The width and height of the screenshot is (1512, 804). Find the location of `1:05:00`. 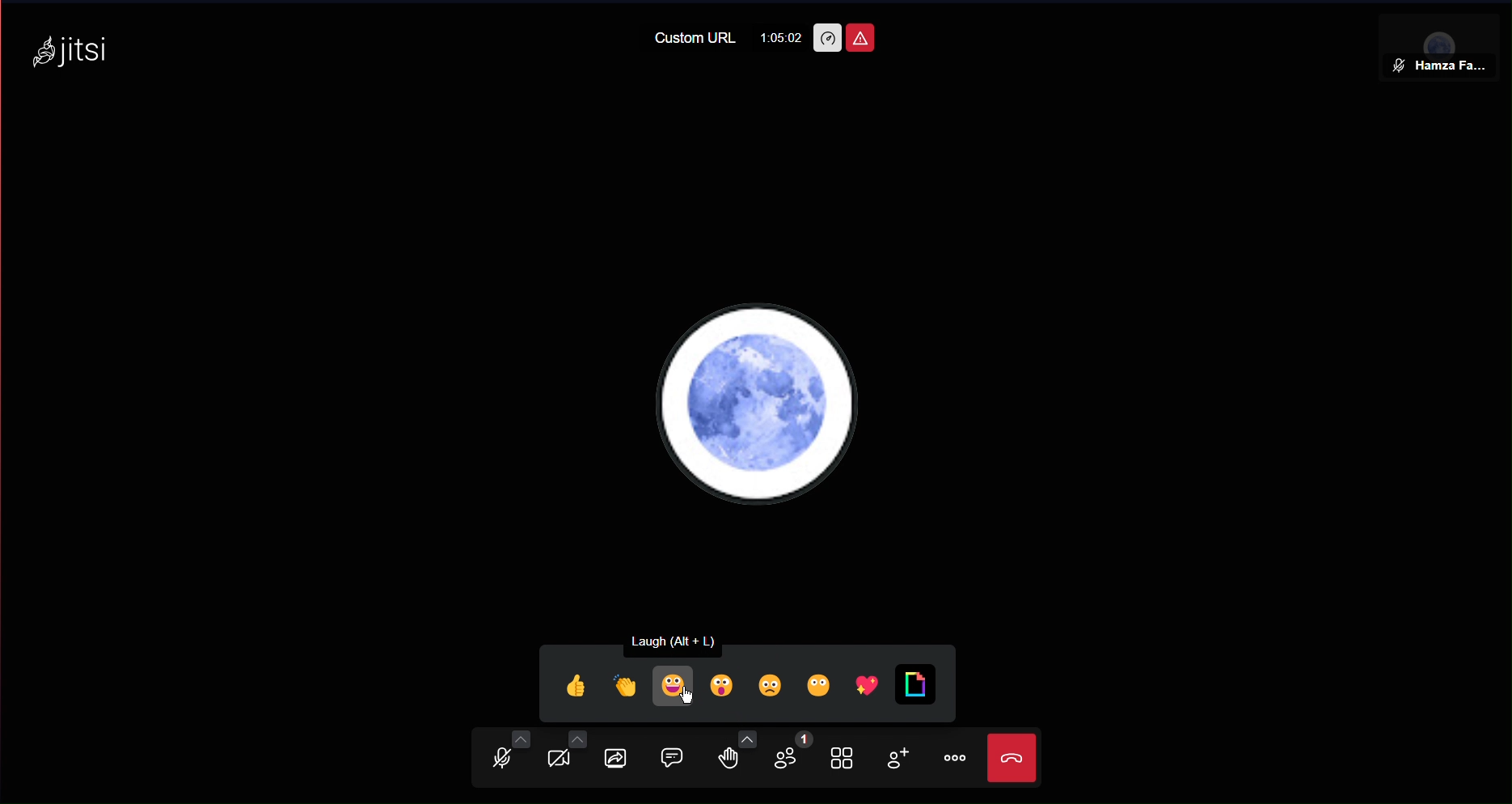

1:05:00 is located at coordinates (780, 37).